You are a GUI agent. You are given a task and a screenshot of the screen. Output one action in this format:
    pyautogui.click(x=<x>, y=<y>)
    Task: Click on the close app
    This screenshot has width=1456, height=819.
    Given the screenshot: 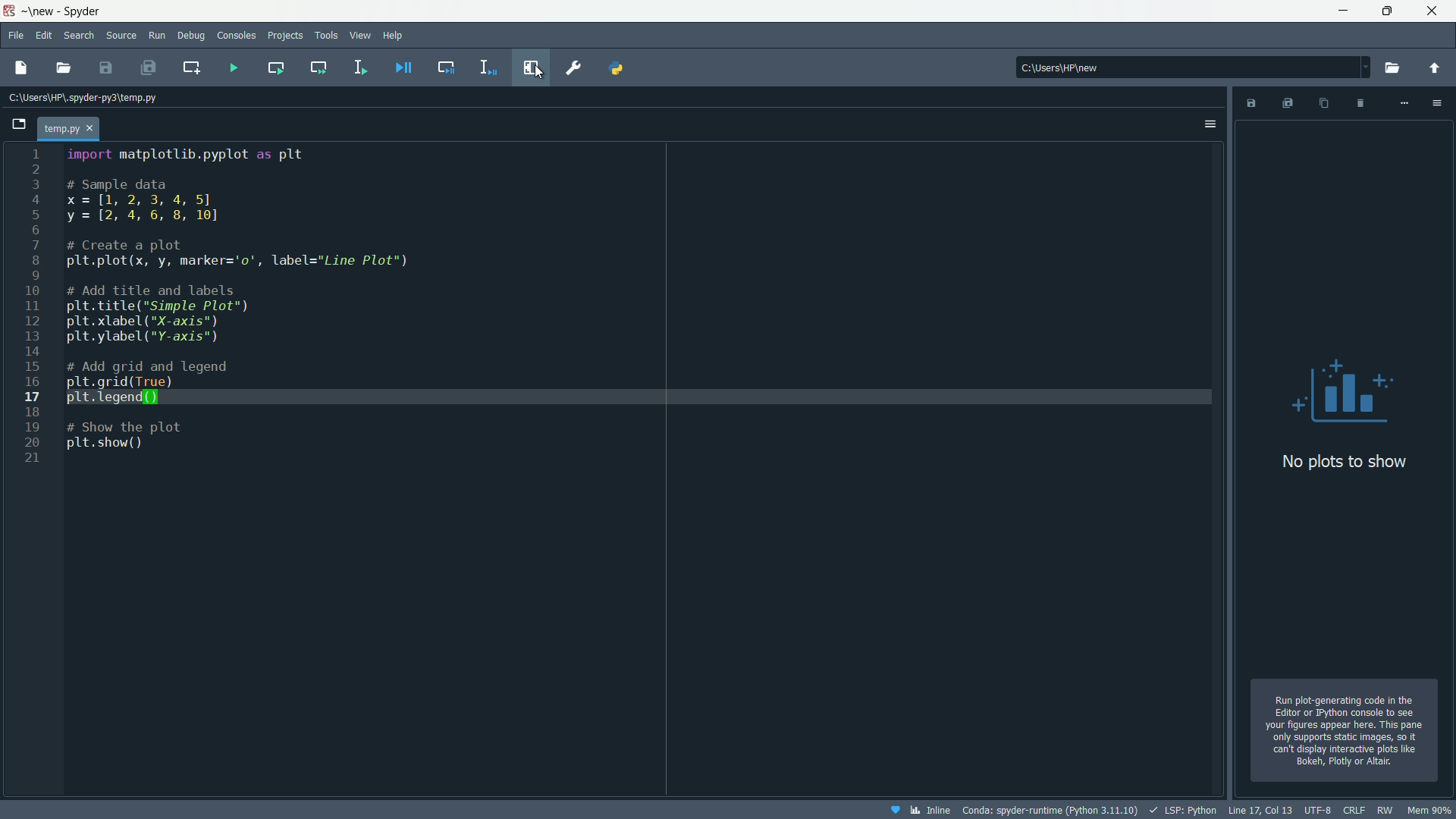 What is the action you would take?
    pyautogui.click(x=1438, y=11)
    